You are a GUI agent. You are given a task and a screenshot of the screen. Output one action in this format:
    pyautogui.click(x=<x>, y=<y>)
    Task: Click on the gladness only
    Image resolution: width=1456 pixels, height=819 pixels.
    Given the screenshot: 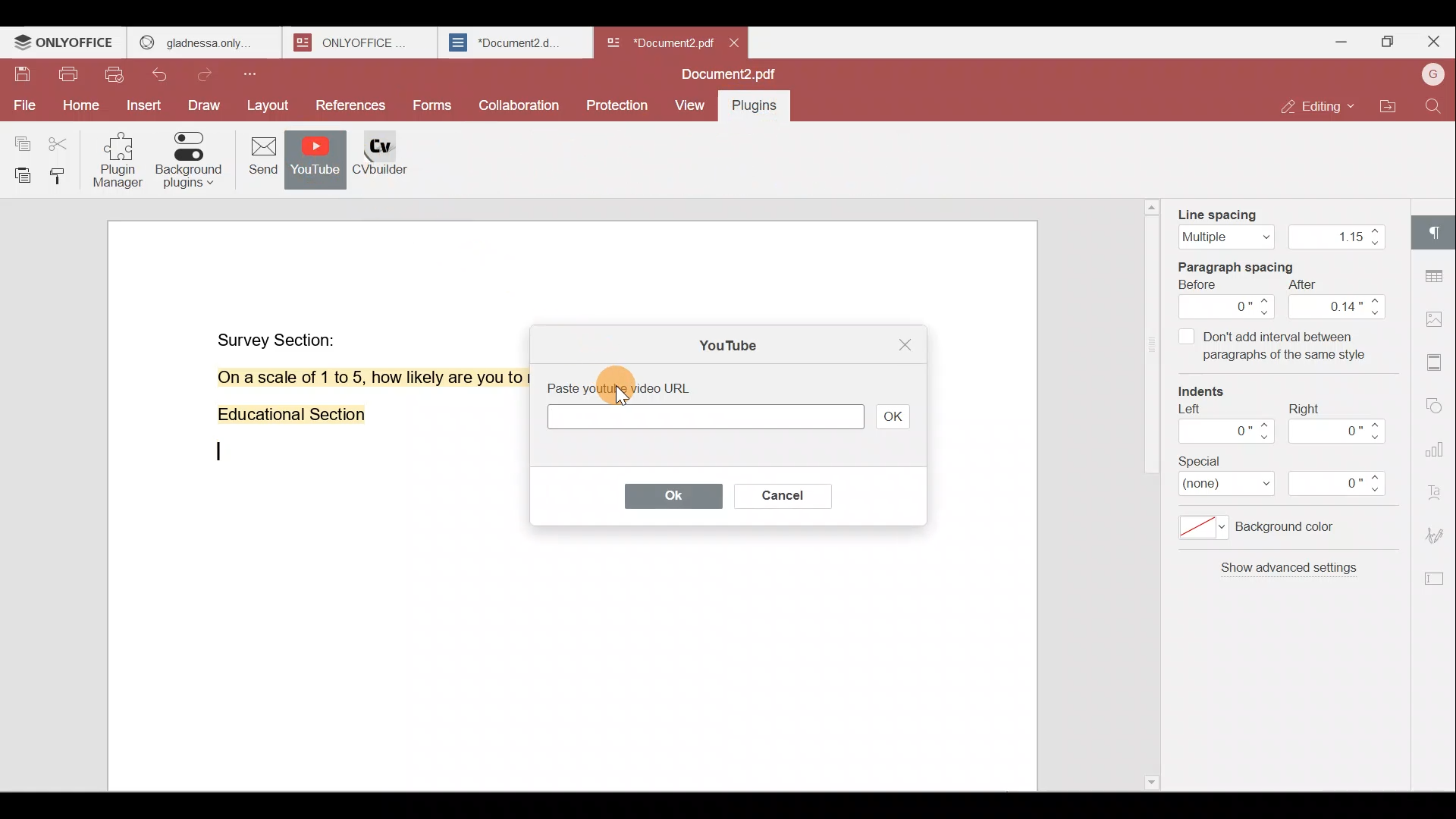 What is the action you would take?
    pyautogui.click(x=204, y=42)
    